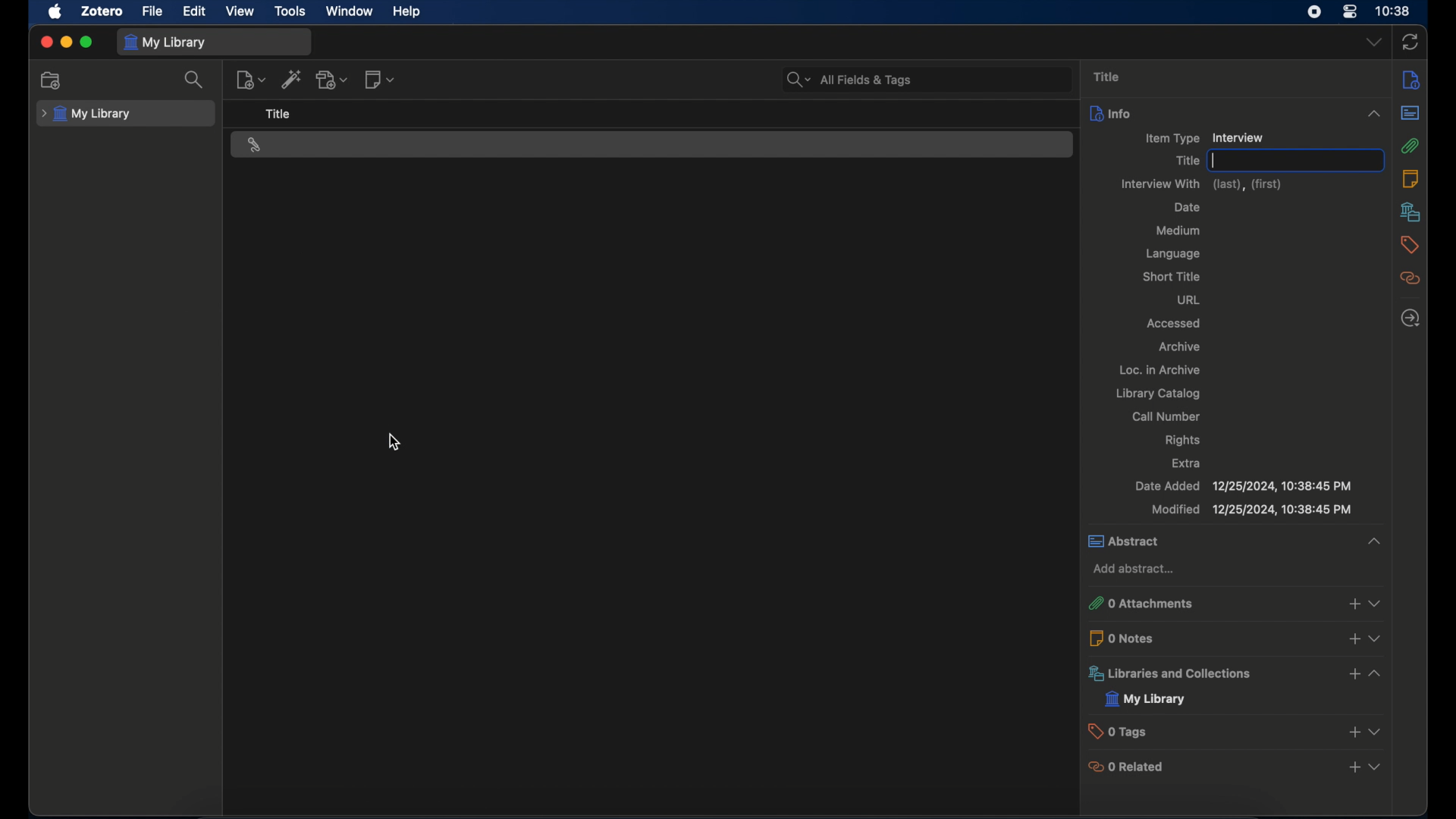 The height and width of the screenshot is (819, 1456). Describe the element at coordinates (1243, 486) in the screenshot. I see `date added` at that location.